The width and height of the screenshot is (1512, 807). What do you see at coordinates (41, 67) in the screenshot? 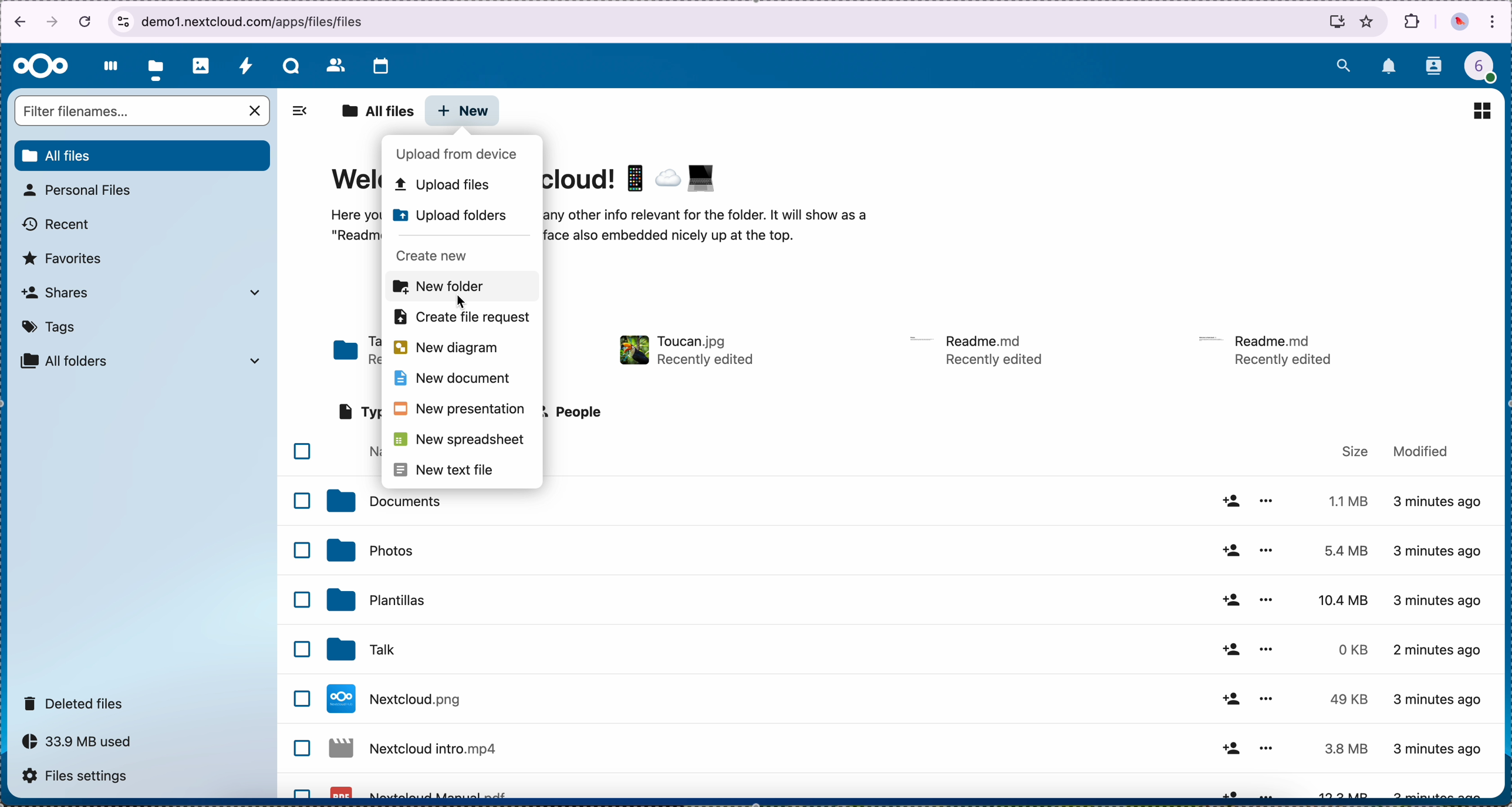
I see `Nextcloud logo` at bounding box center [41, 67].